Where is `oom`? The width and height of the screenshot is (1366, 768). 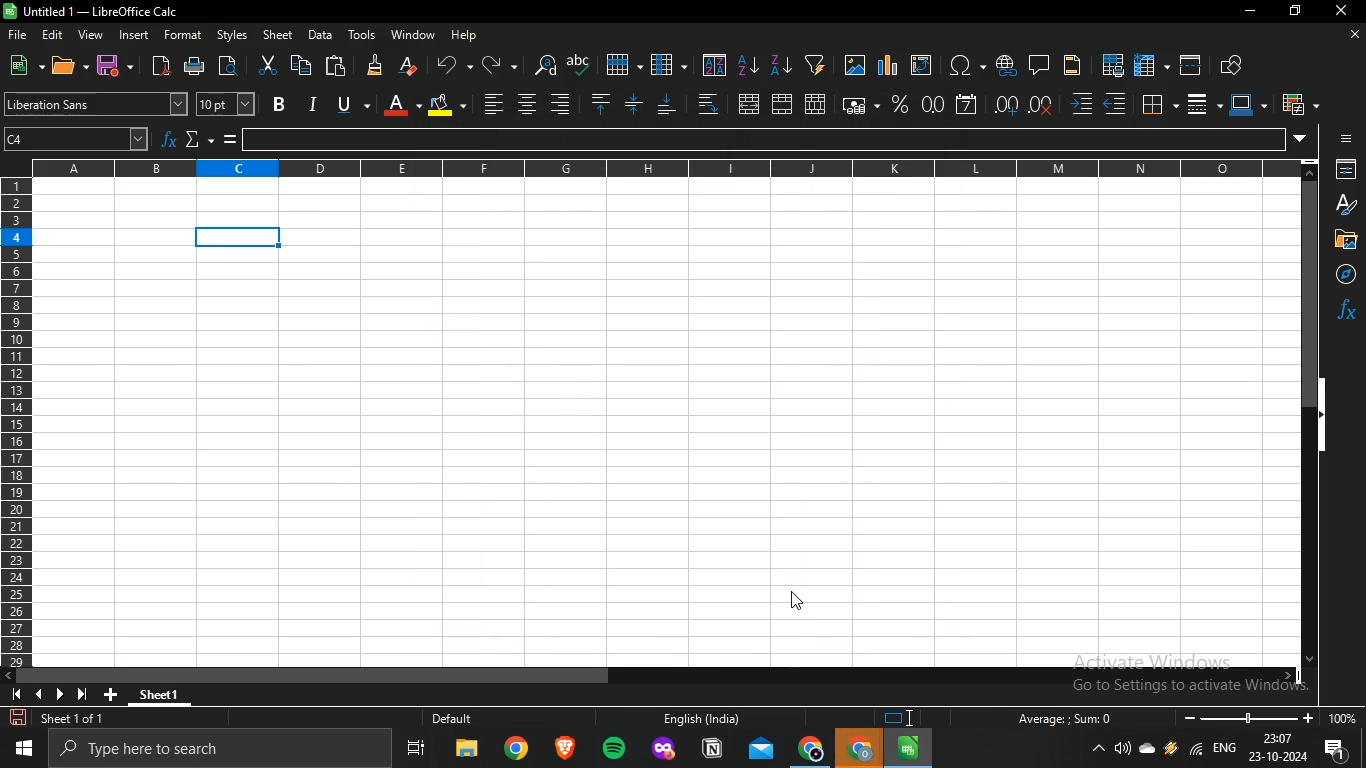 oom is located at coordinates (1268, 716).